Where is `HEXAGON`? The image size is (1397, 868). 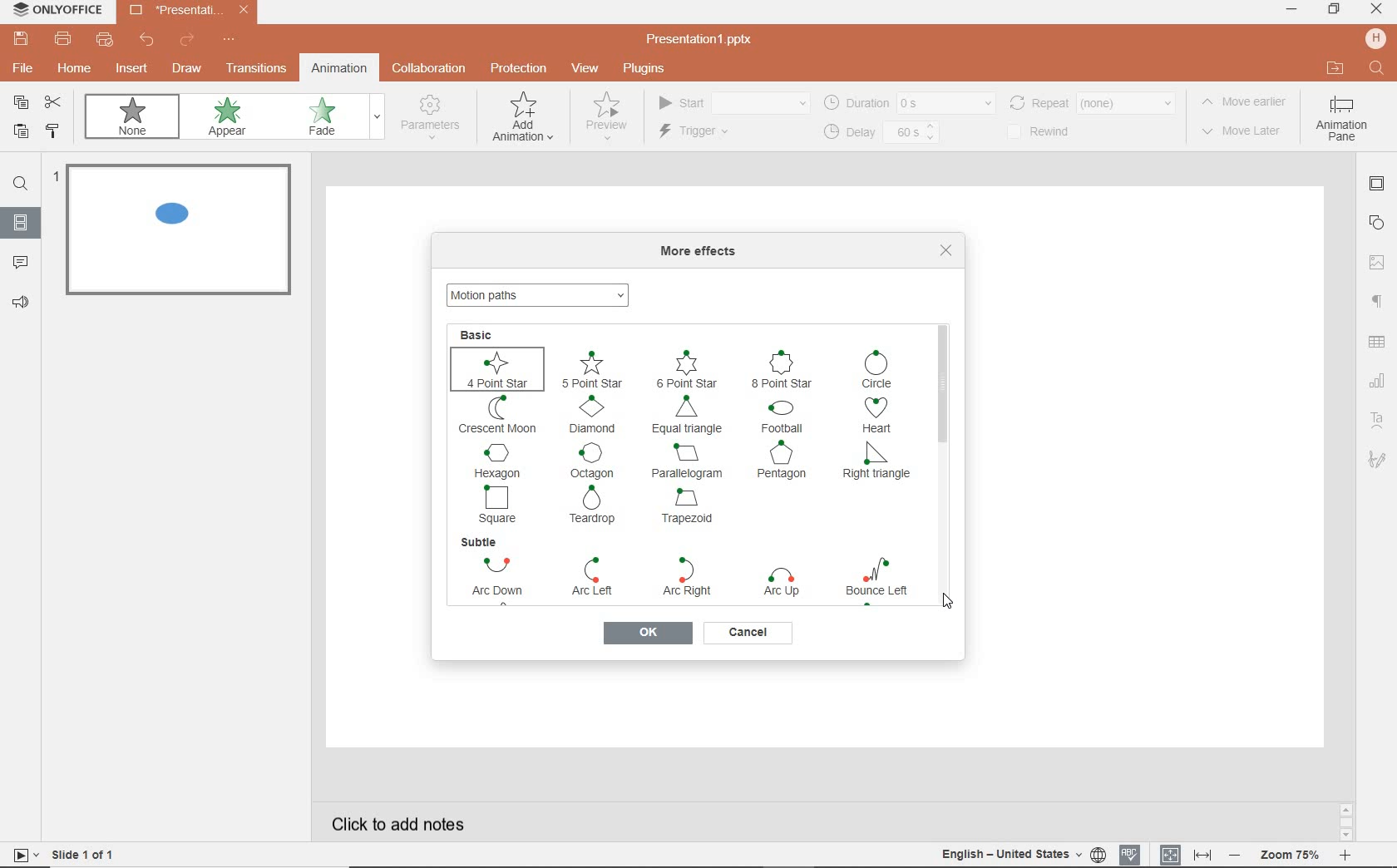 HEXAGON is located at coordinates (497, 460).